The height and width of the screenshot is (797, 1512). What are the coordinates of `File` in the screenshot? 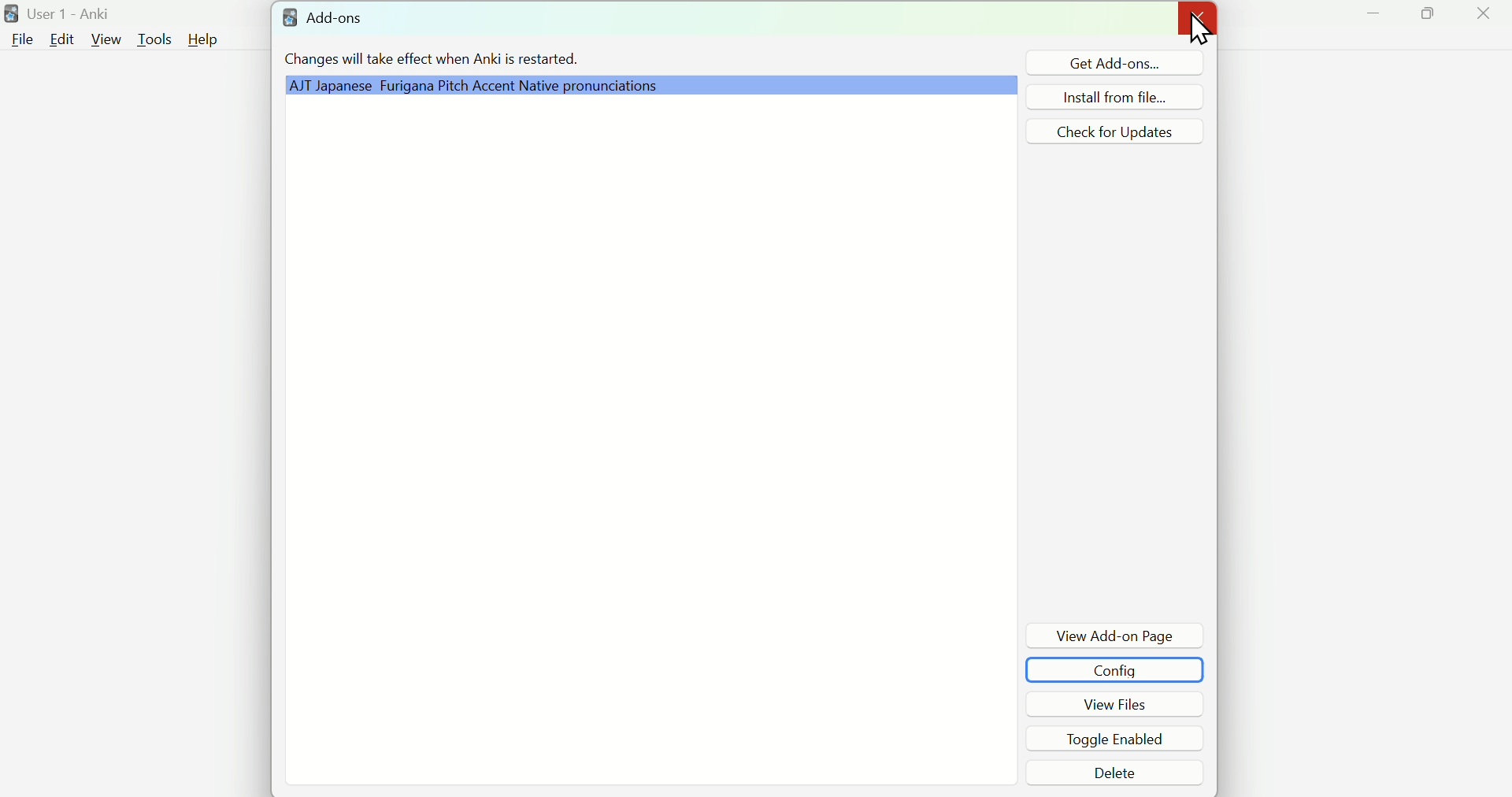 It's located at (19, 41).